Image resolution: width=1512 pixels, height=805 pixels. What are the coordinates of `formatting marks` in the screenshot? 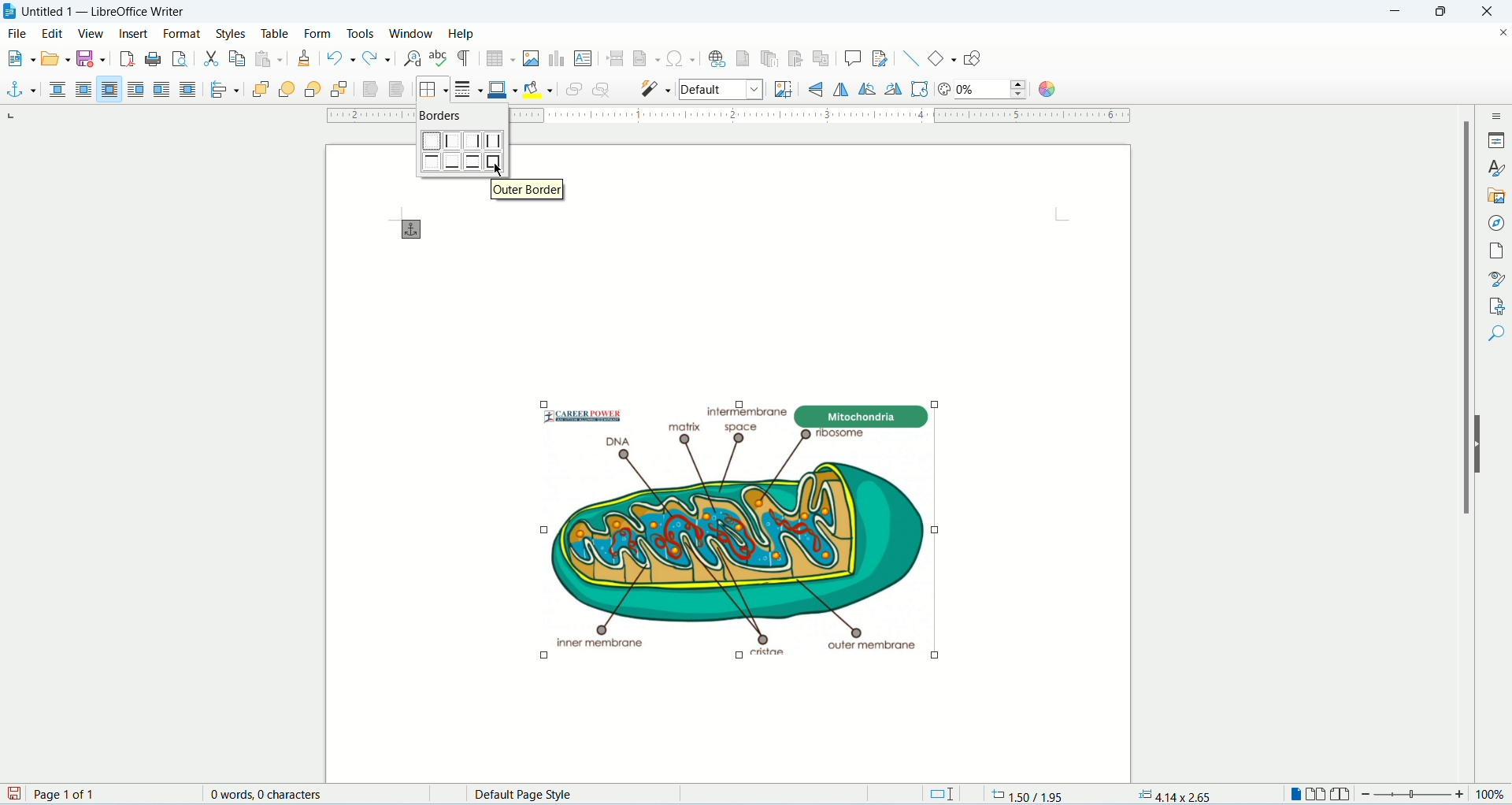 It's located at (465, 60).